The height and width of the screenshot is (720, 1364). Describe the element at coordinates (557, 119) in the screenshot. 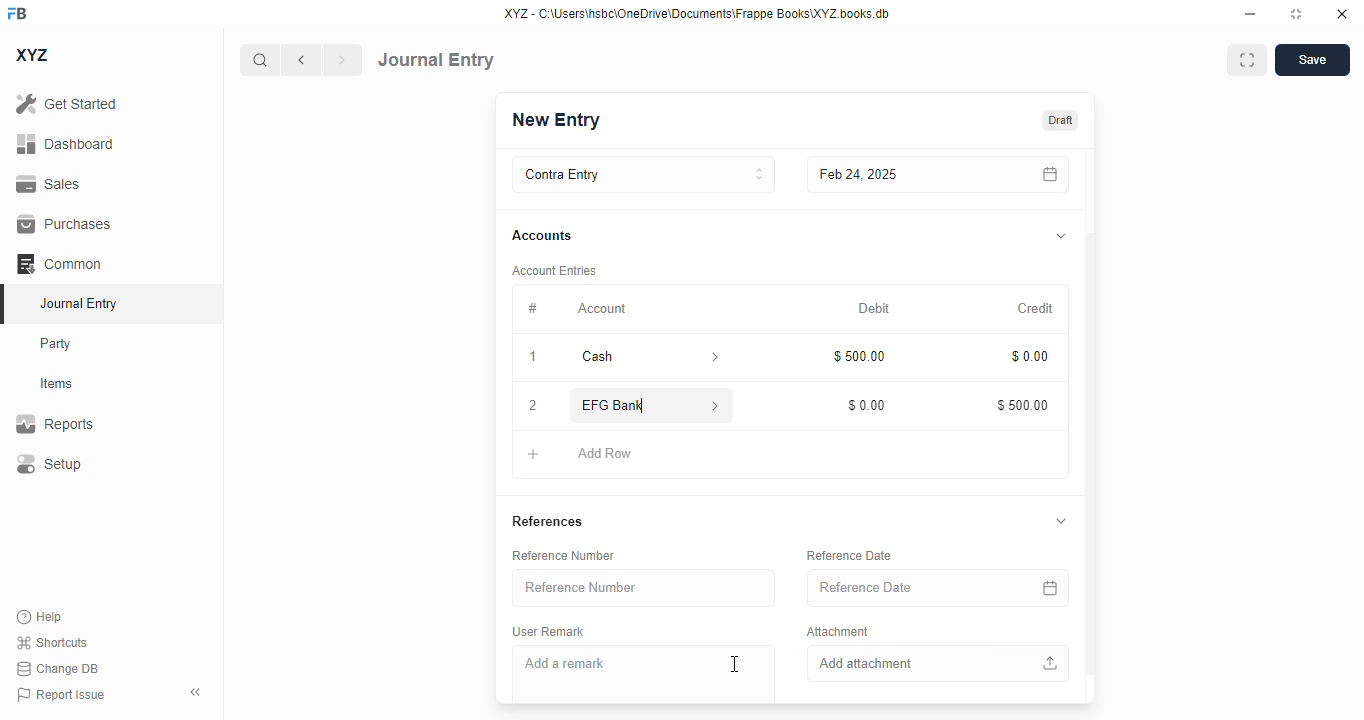

I see `new entry` at that location.